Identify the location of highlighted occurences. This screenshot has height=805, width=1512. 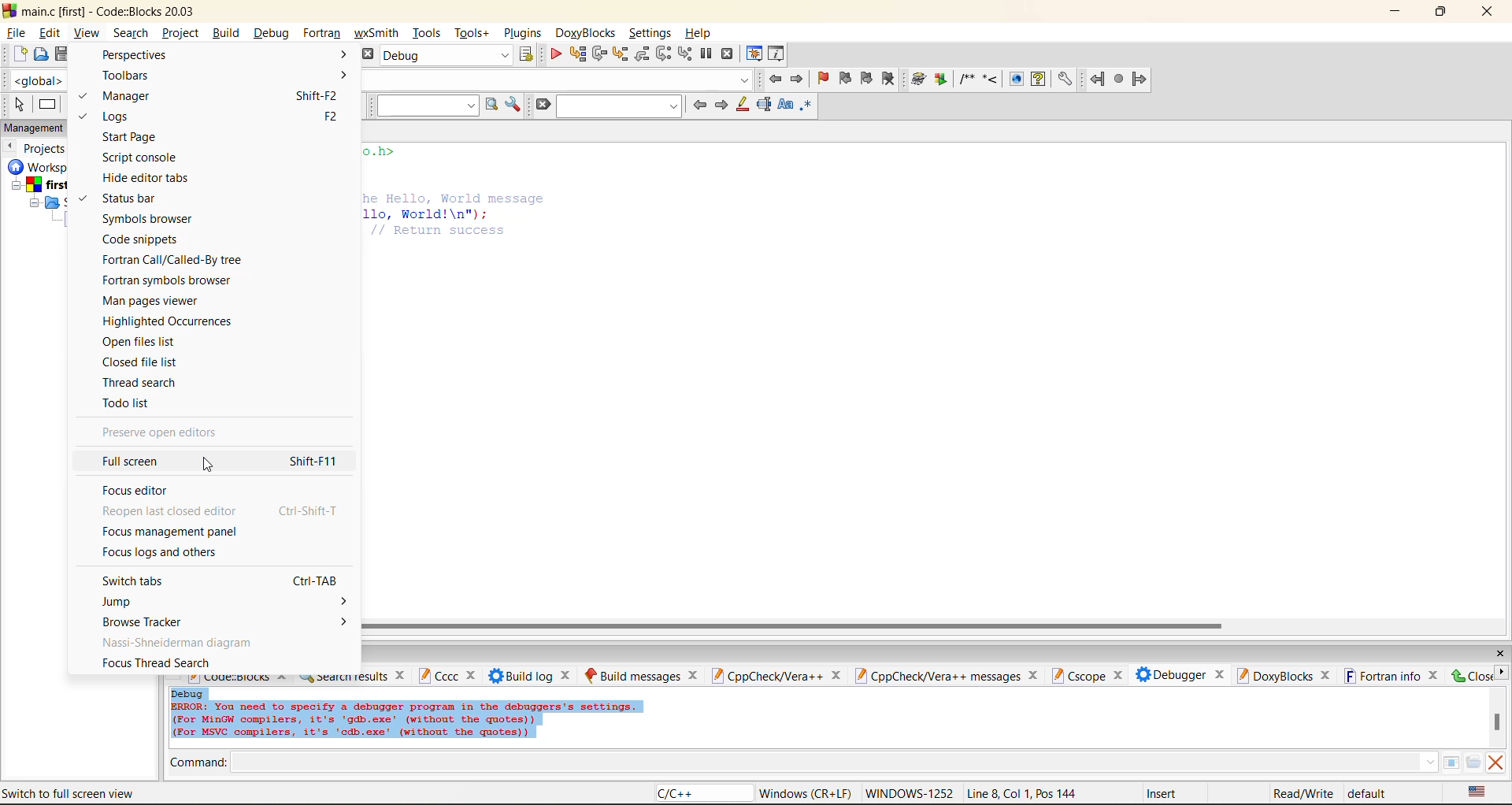
(169, 321).